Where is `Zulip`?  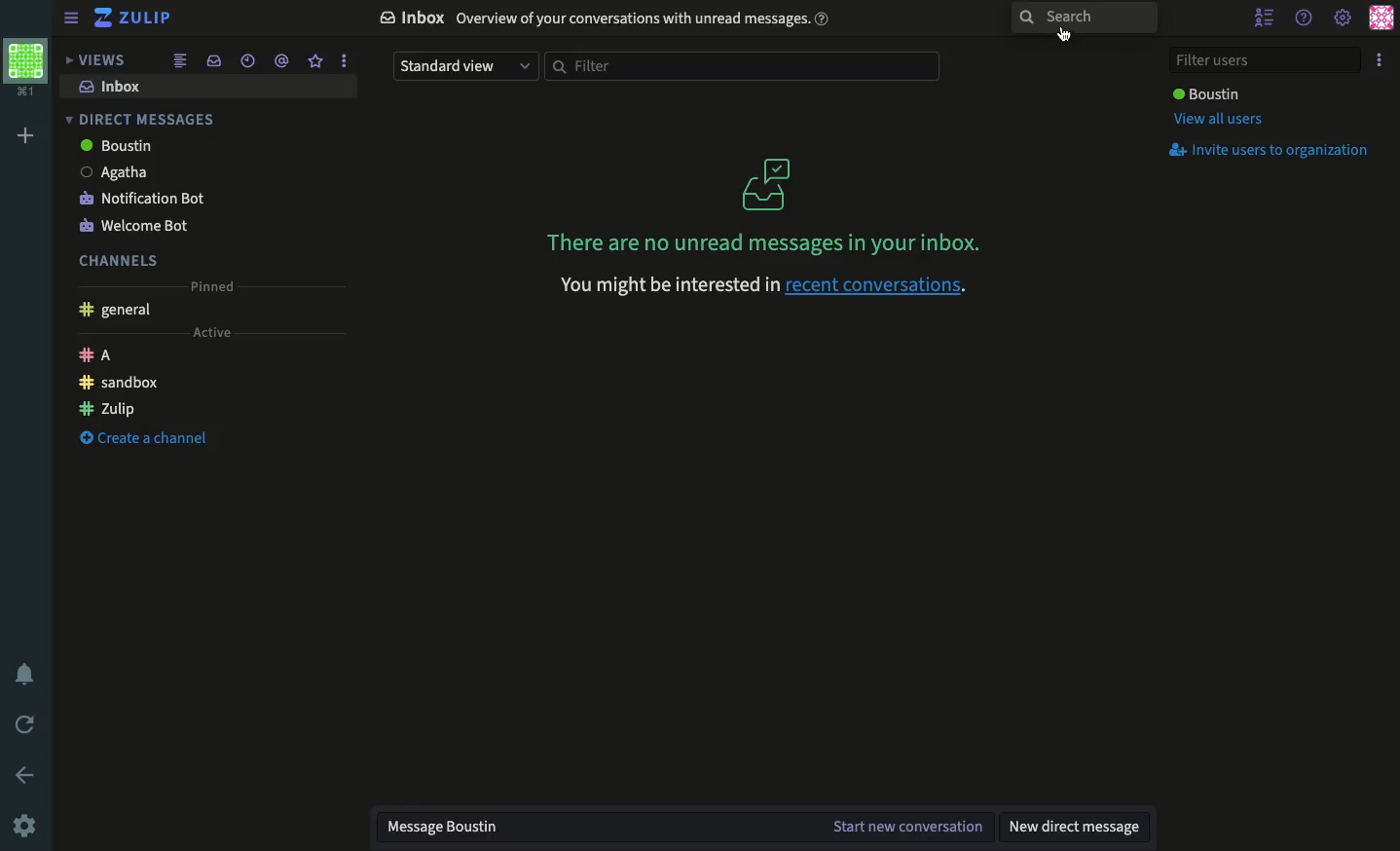 Zulip is located at coordinates (110, 409).